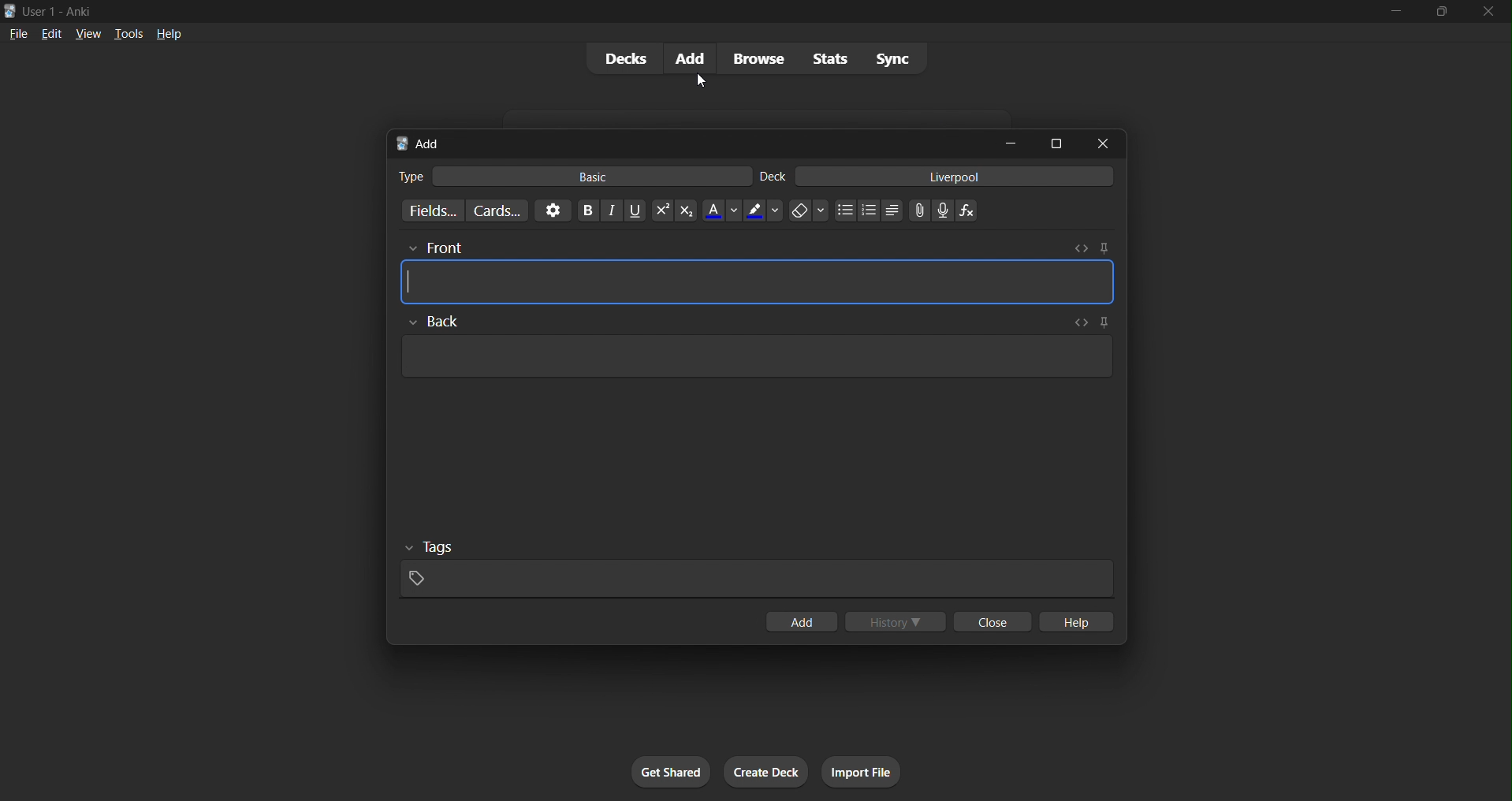  What do you see at coordinates (752, 58) in the screenshot?
I see `browse` at bounding box center [752, 58].